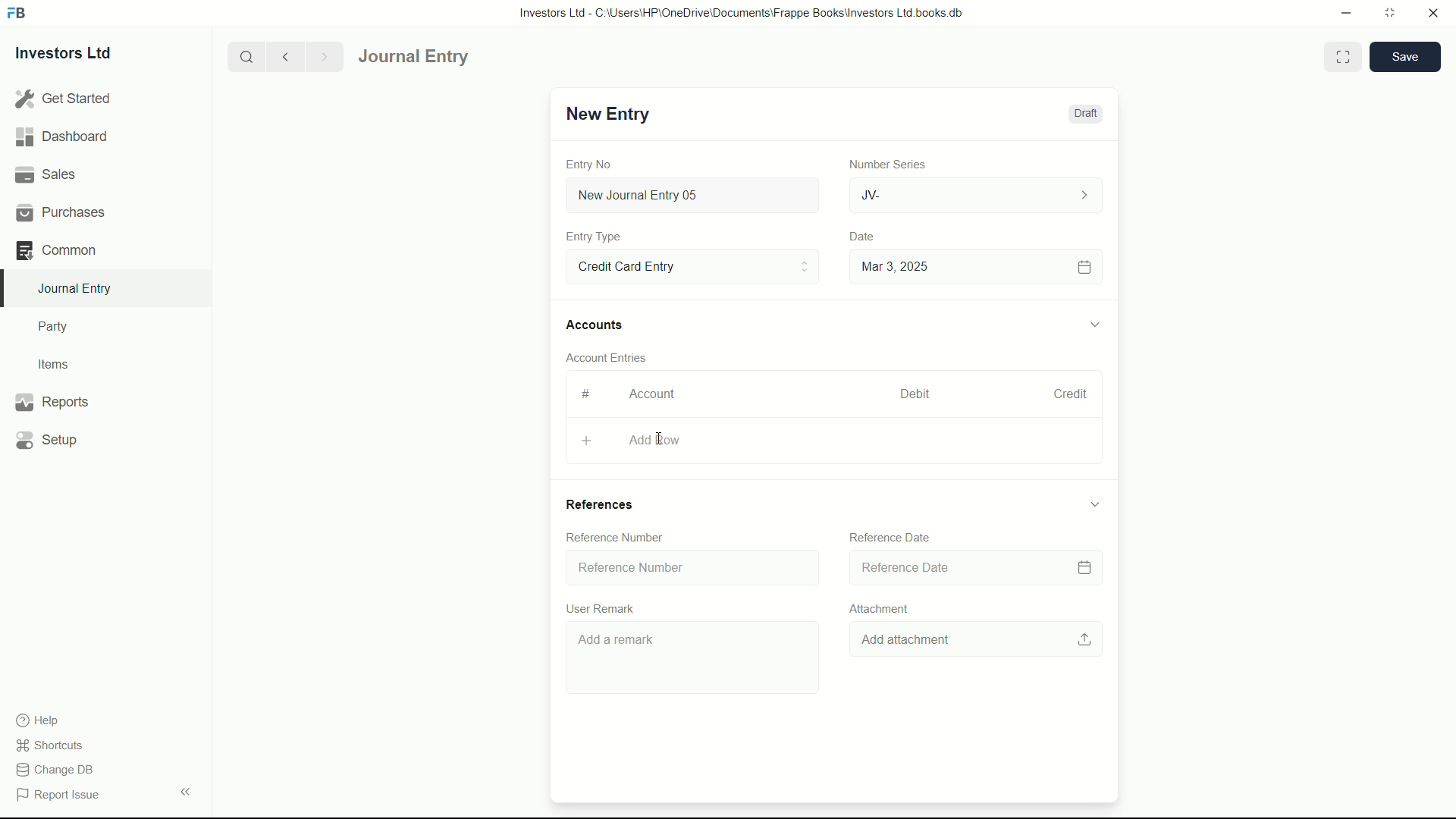 The image size is (1456, 819). I want to click on Entry Type, so click(691, 265).